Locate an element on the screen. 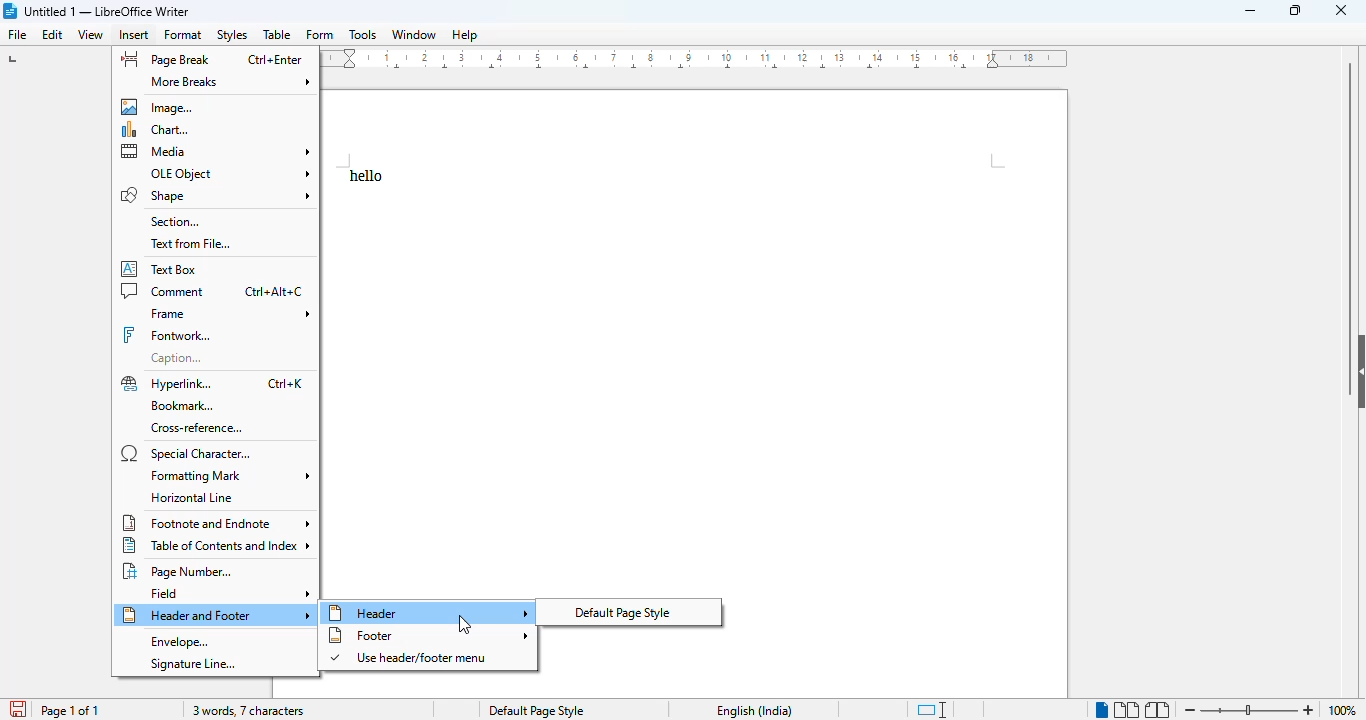 The image size is (1366, 720). header and footer is located at coordinates (217, 616).